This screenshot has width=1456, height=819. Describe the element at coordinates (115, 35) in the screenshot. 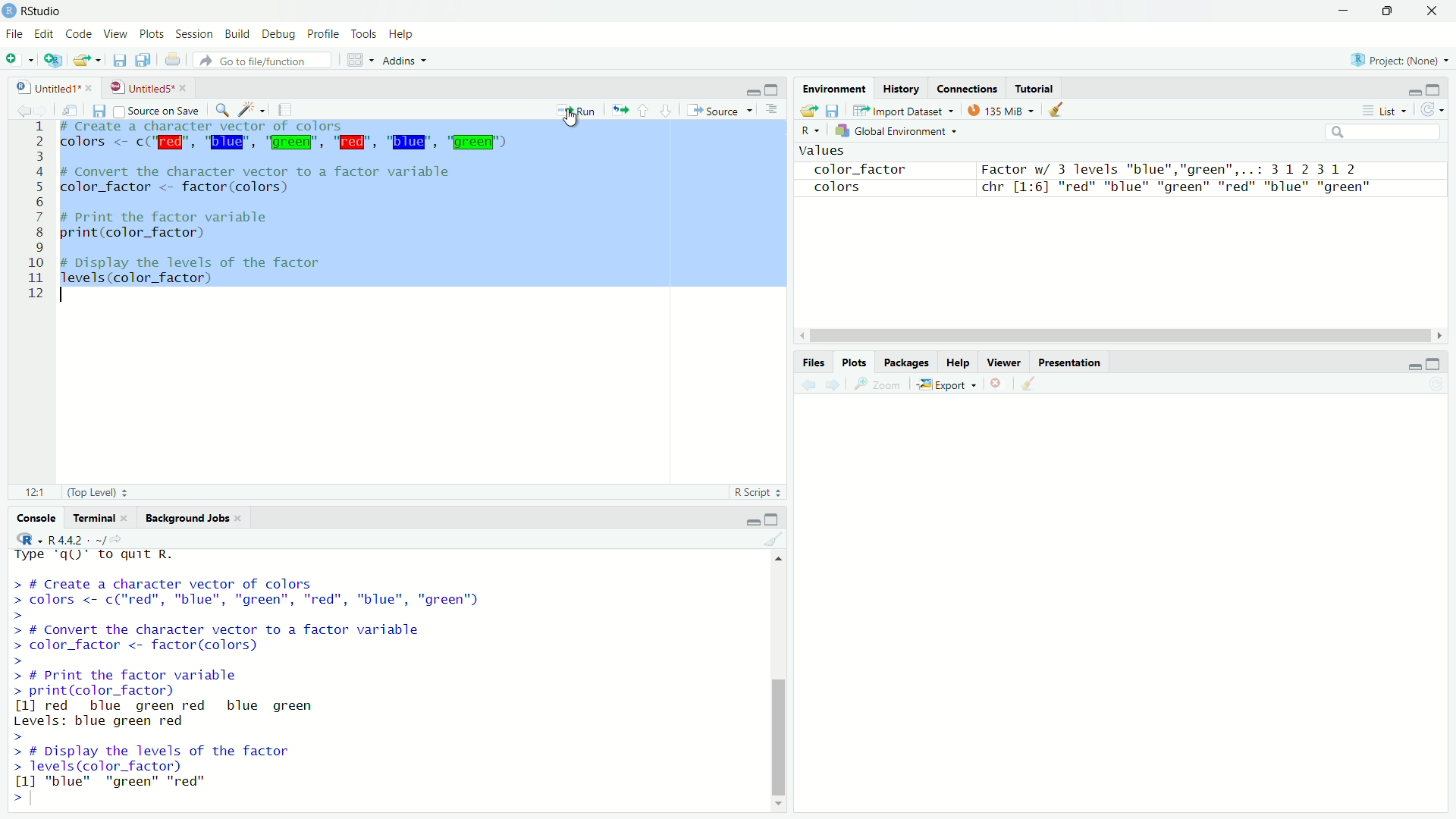

I see `view` at that location.